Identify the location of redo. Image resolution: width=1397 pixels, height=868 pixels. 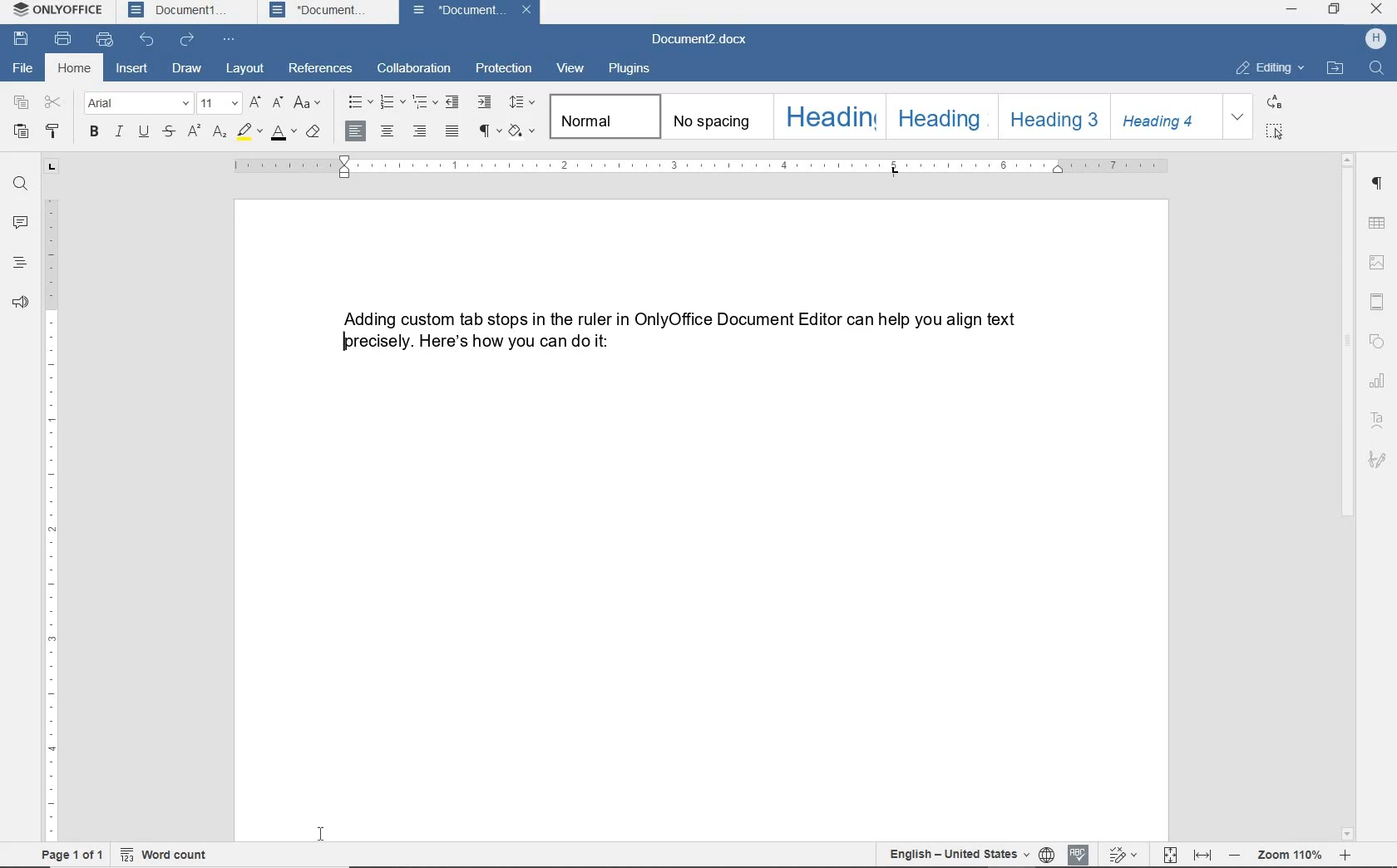
(188, 42).